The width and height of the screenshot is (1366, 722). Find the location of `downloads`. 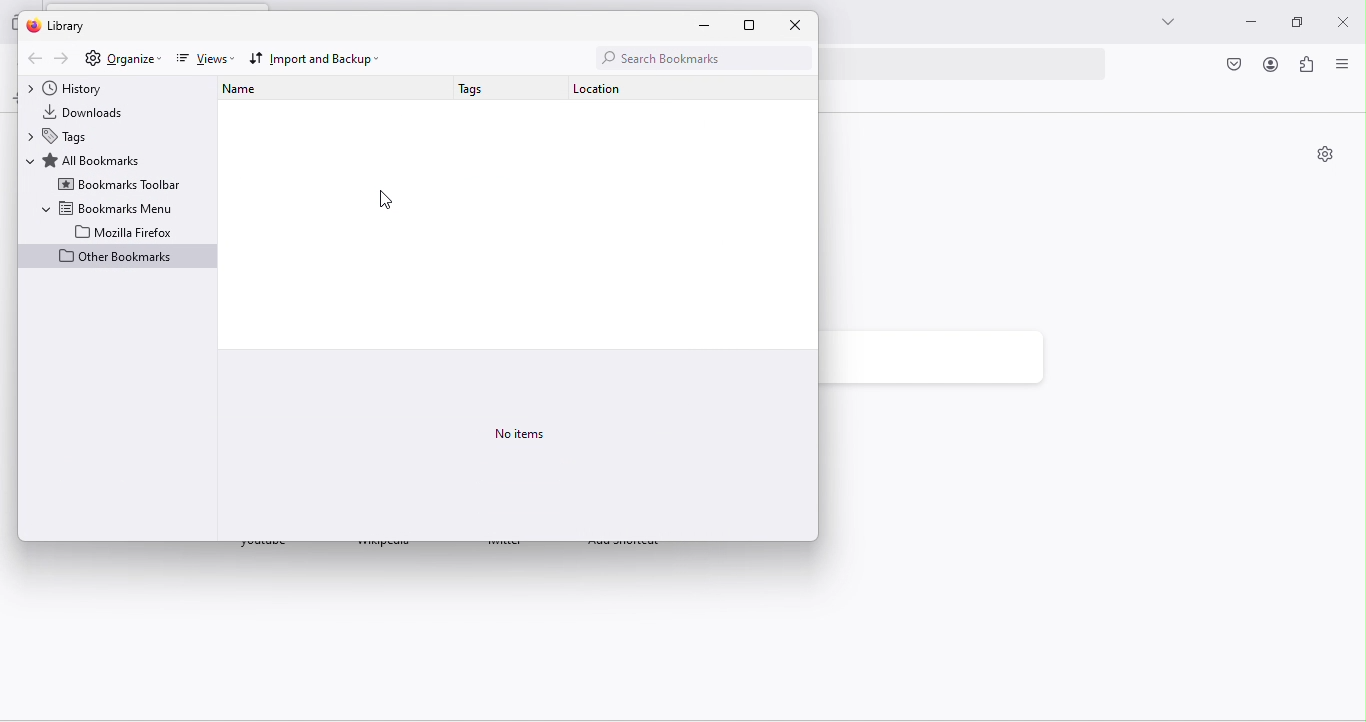

downloads is located at coordinates (92, 112).